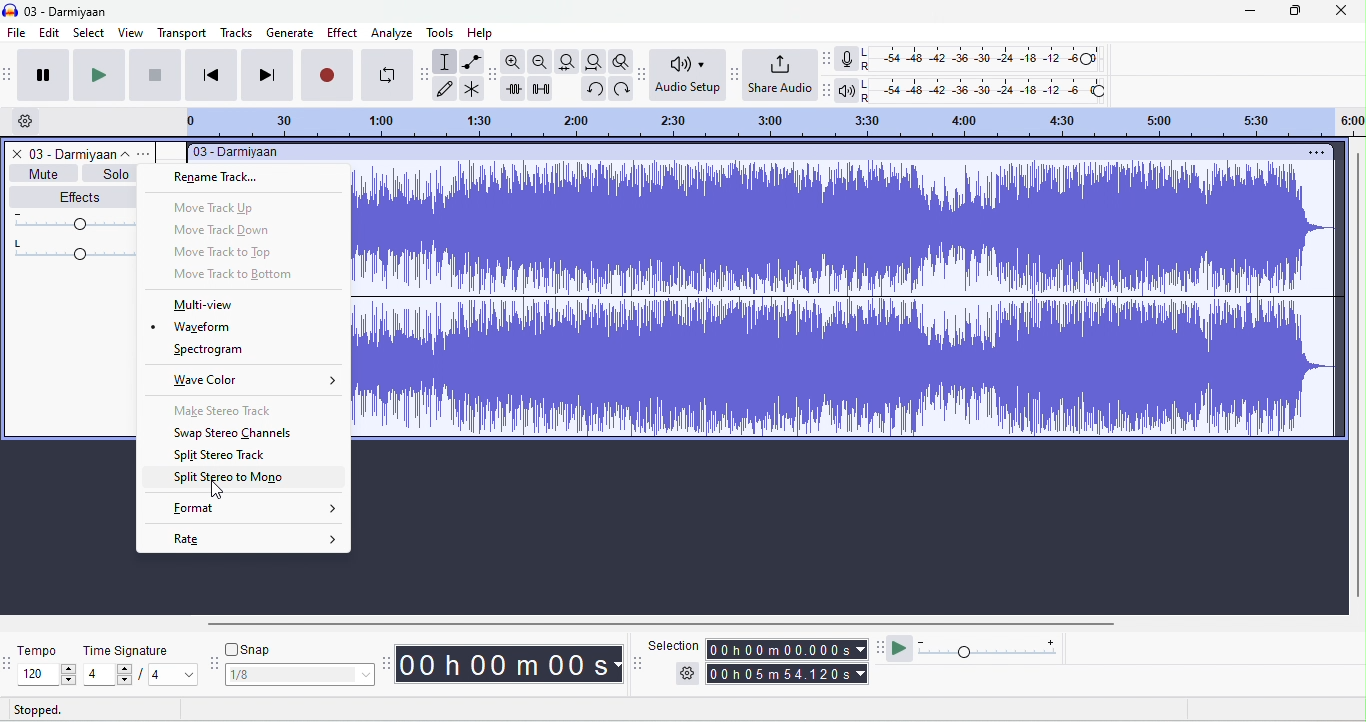 The image size is (1366, 722). I want to click on selection time, so click(788, 647).